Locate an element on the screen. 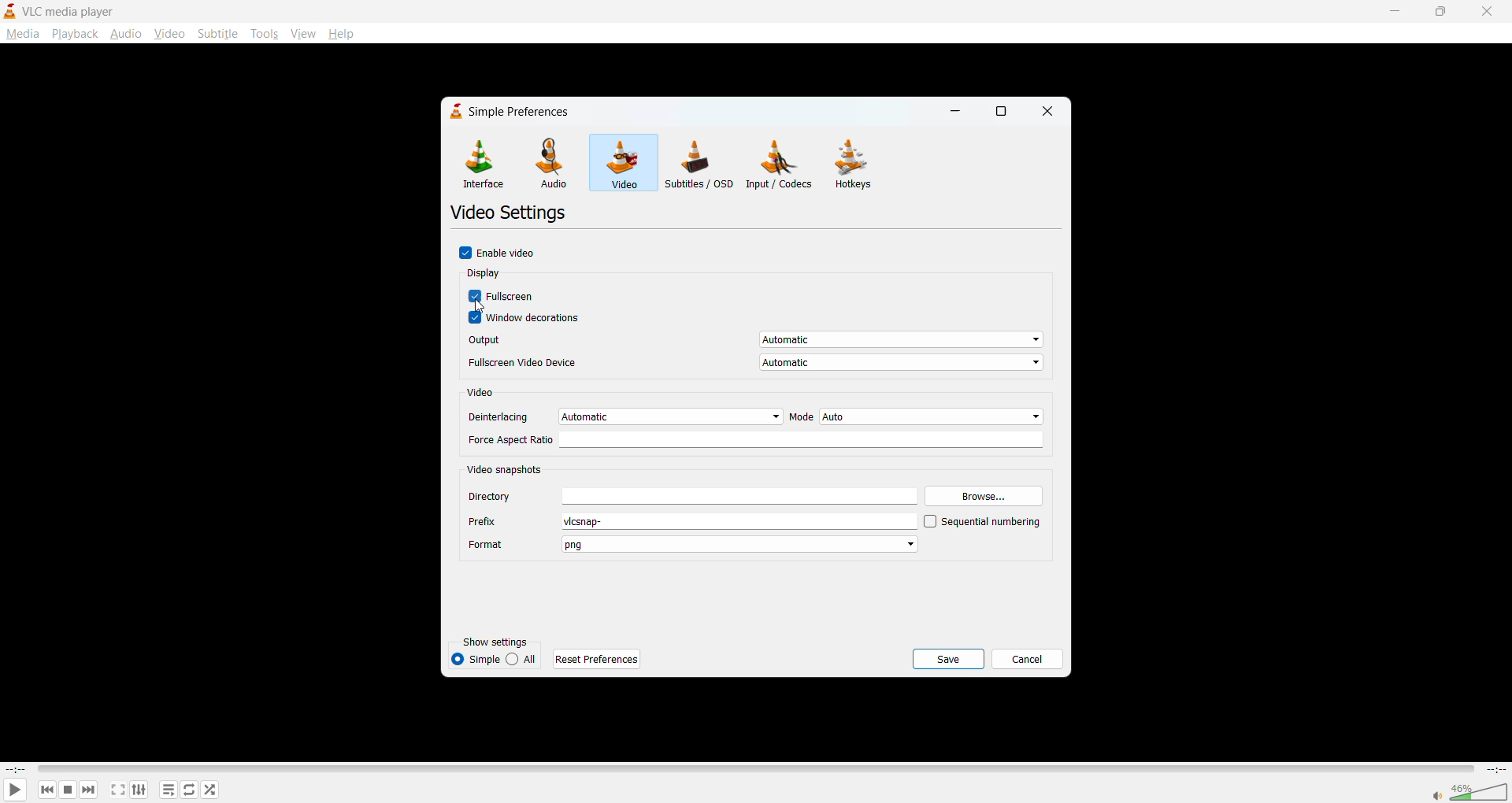  video settings is located at coordinates (512, 214).